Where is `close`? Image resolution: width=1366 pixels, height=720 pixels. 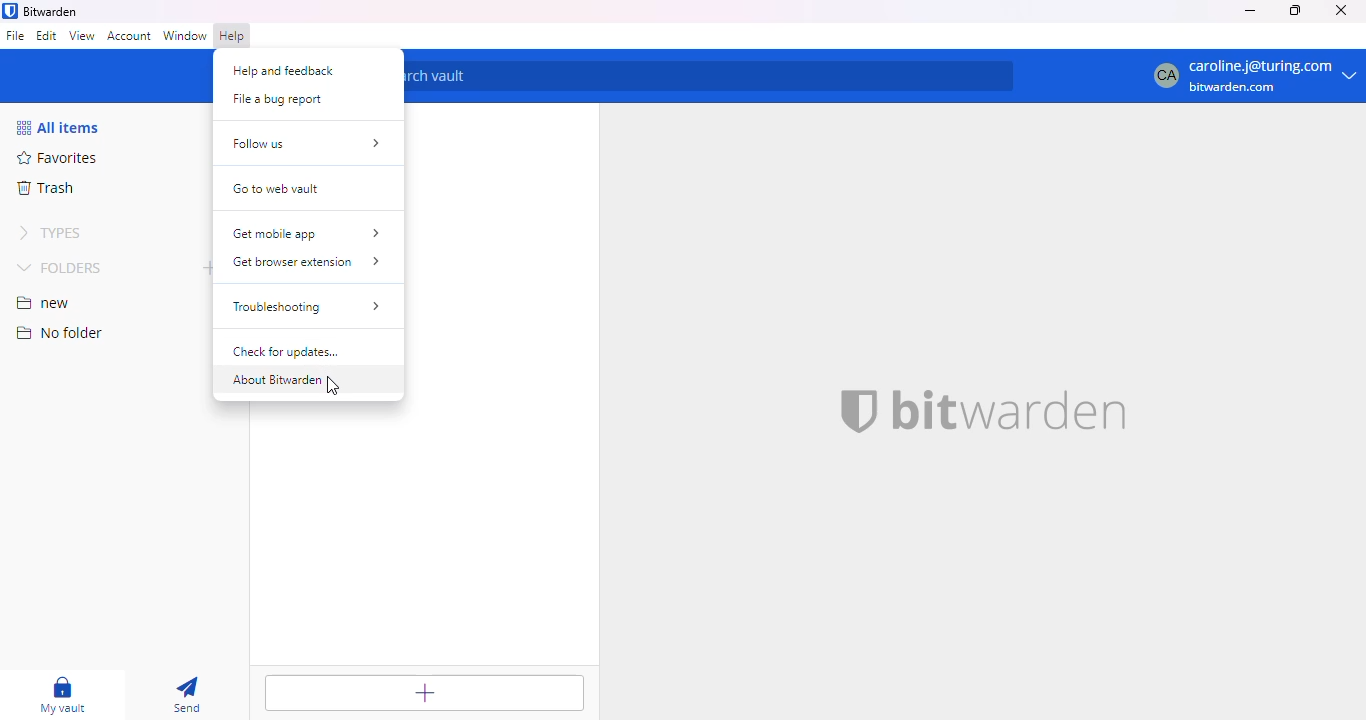 close is located at coordinates (1341, 10).